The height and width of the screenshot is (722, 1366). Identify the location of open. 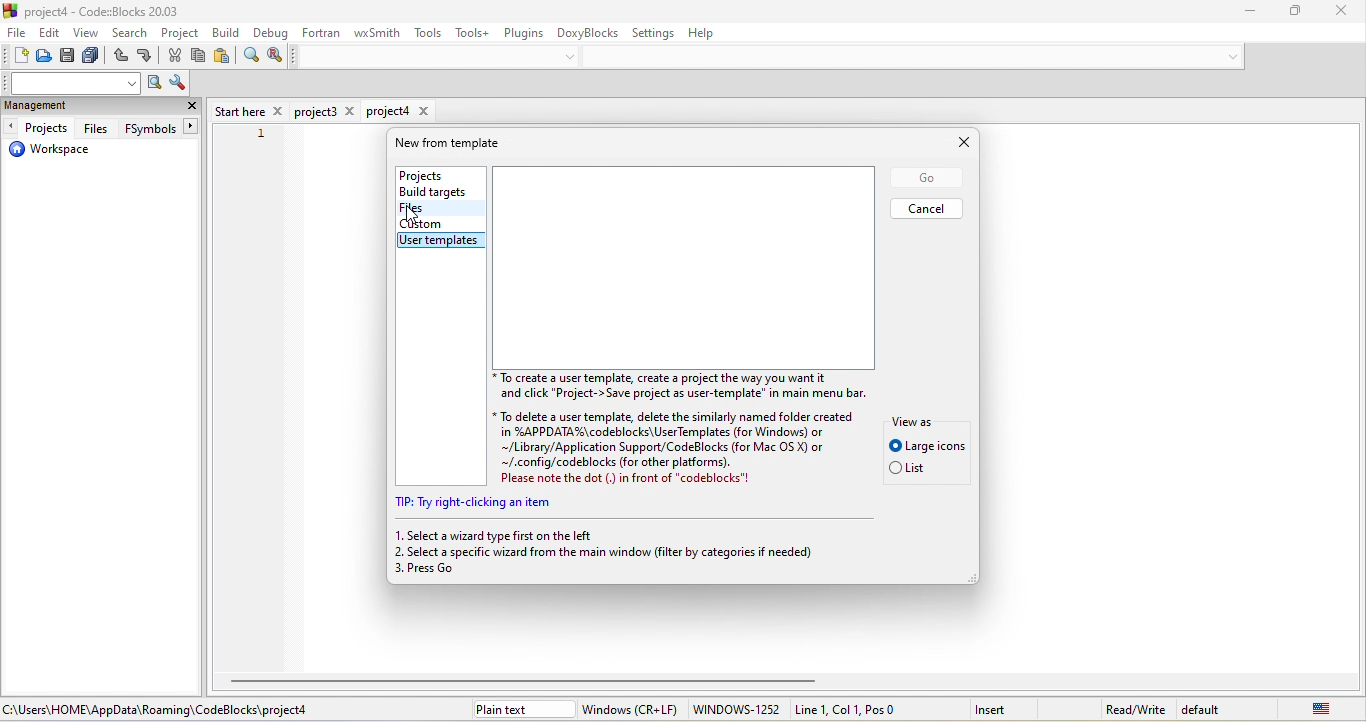
(45, 58).